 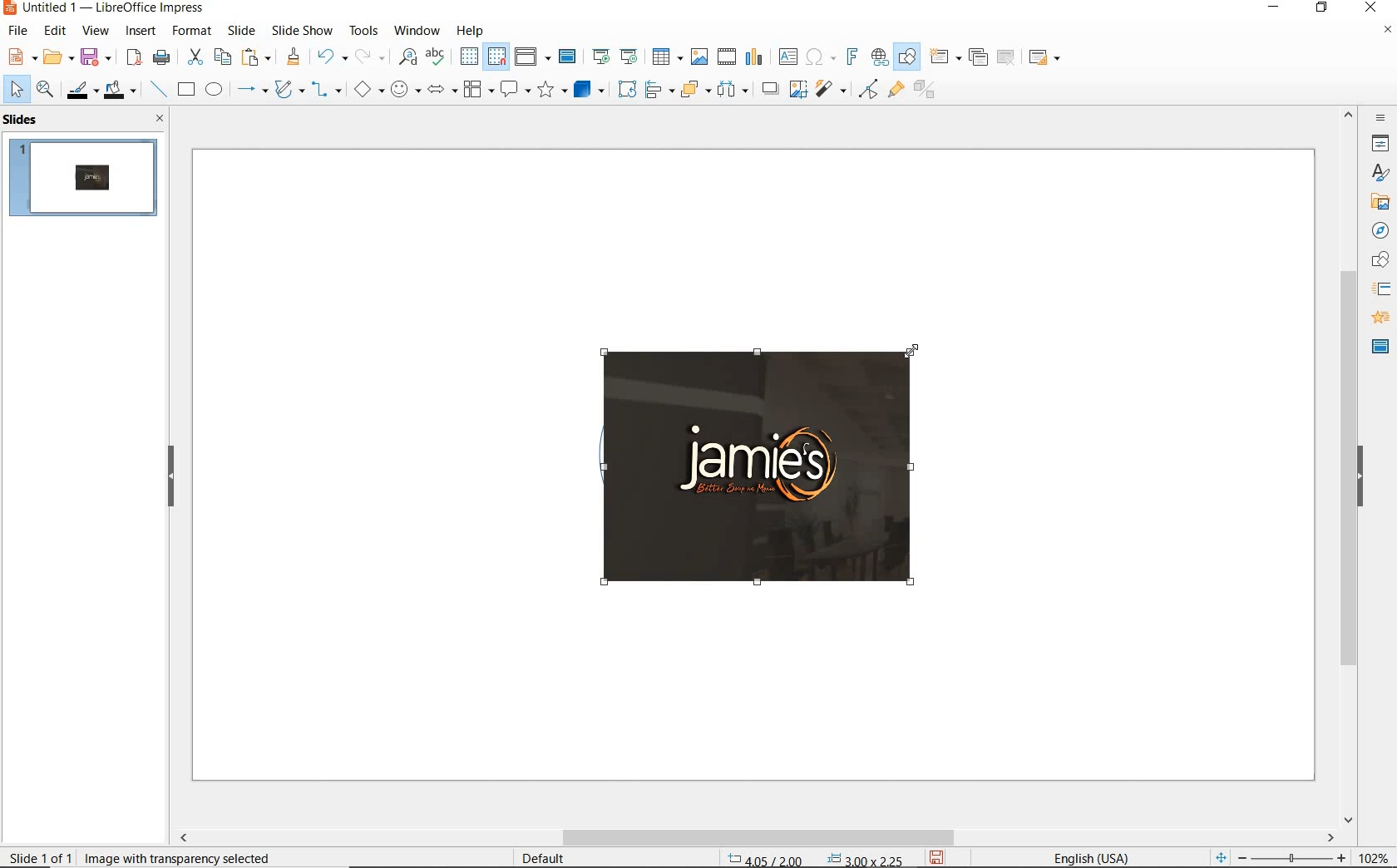 What do you see at coordinates (797, 87) in the screenshot?
I see `crop image` at bounding box center [797, 87].